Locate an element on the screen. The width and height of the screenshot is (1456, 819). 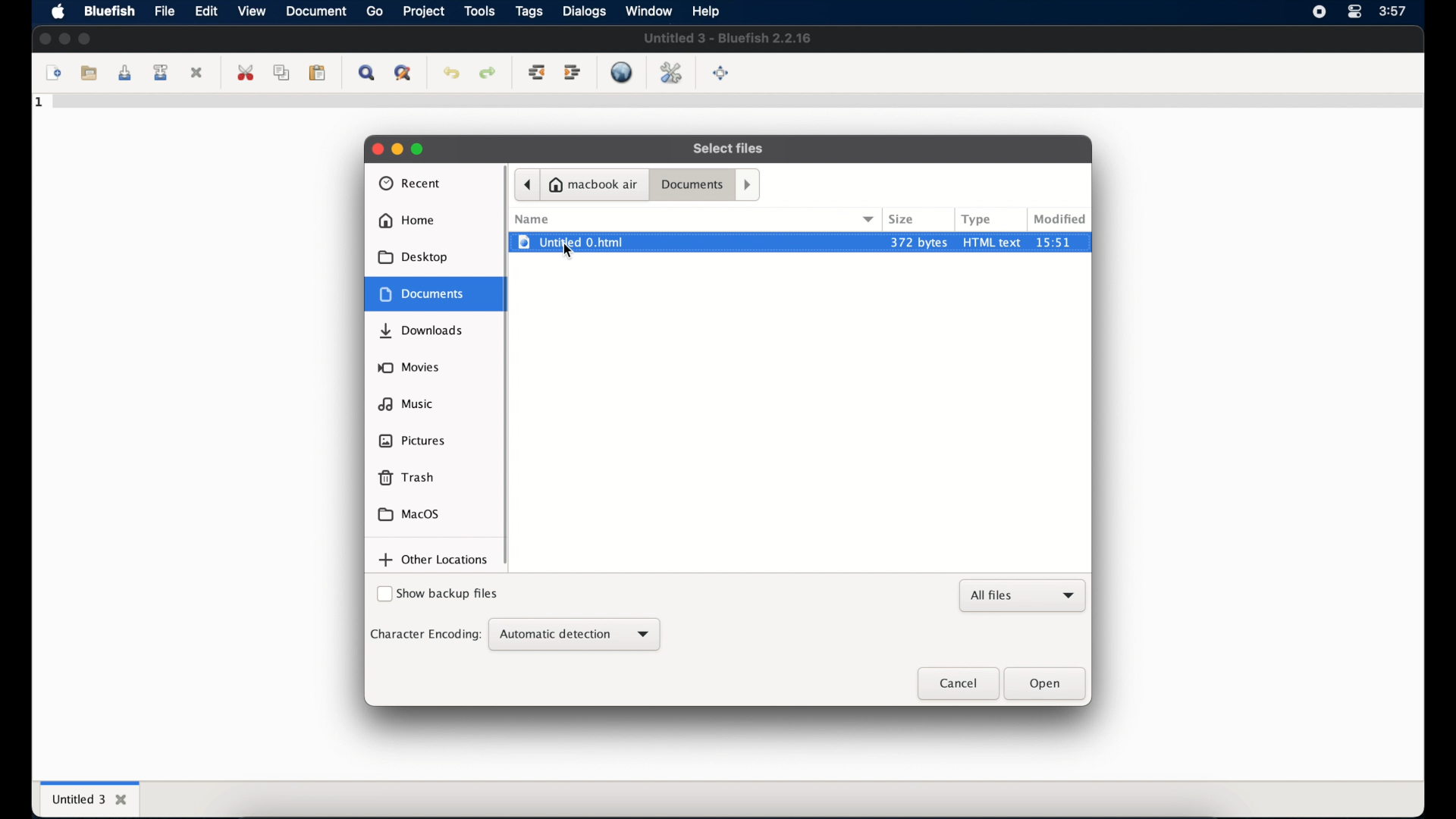
save file as is located at coordinates (163, 73).